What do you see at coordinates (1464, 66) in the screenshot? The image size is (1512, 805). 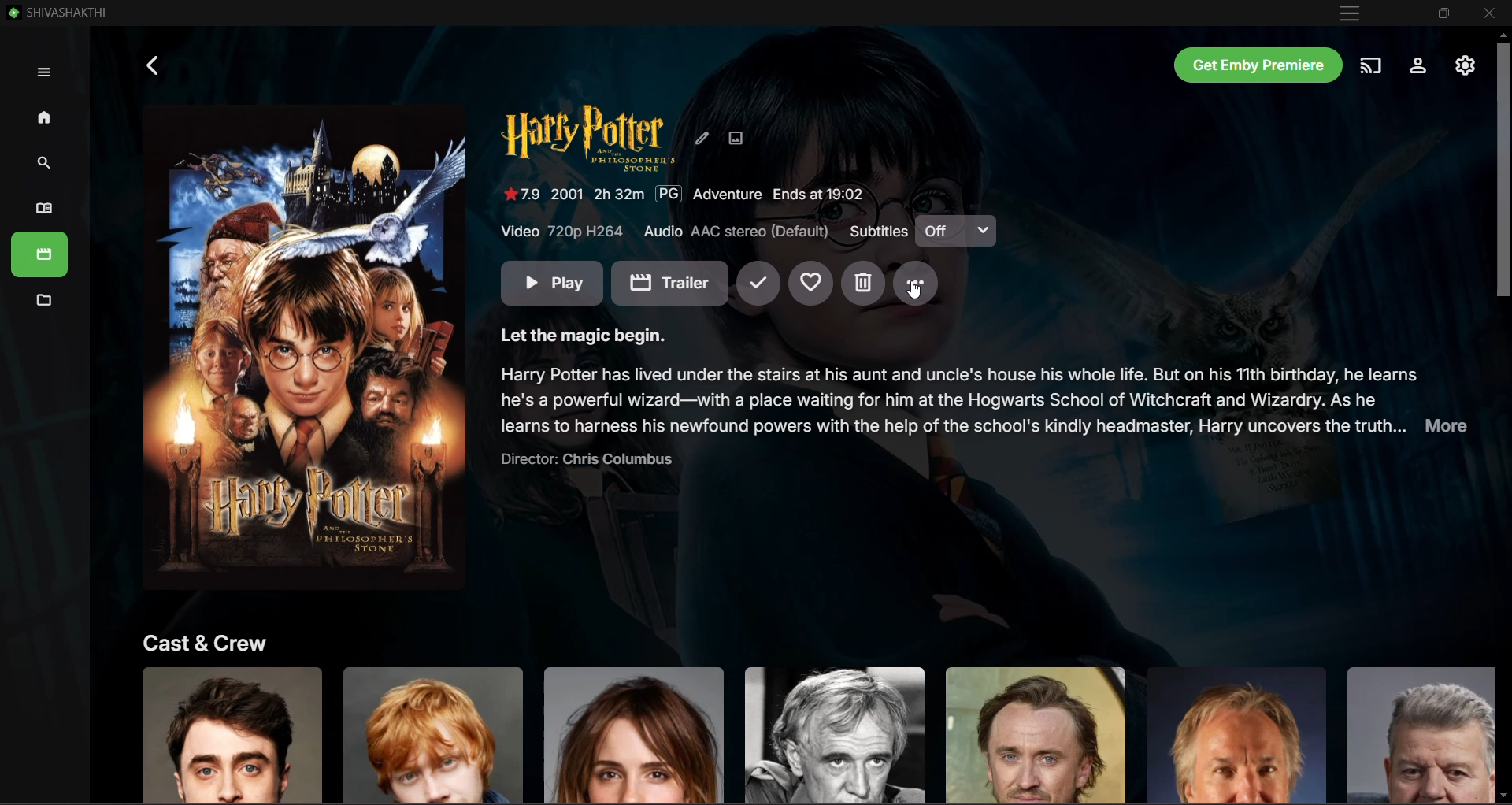 I see `Manage Emby Server` at bounding box center [1464, 66].